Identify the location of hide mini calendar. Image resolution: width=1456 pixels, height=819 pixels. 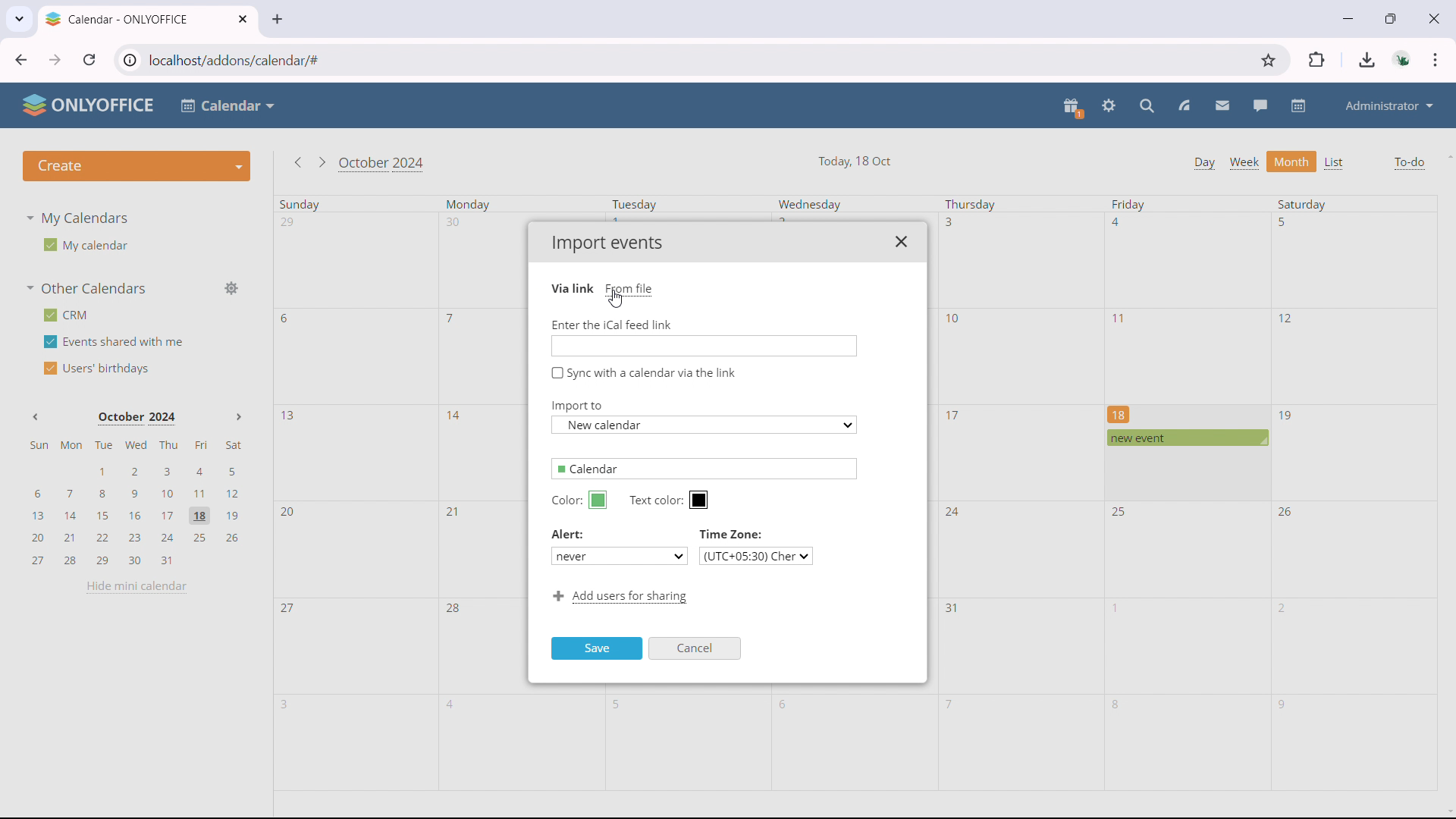
(136, 586).